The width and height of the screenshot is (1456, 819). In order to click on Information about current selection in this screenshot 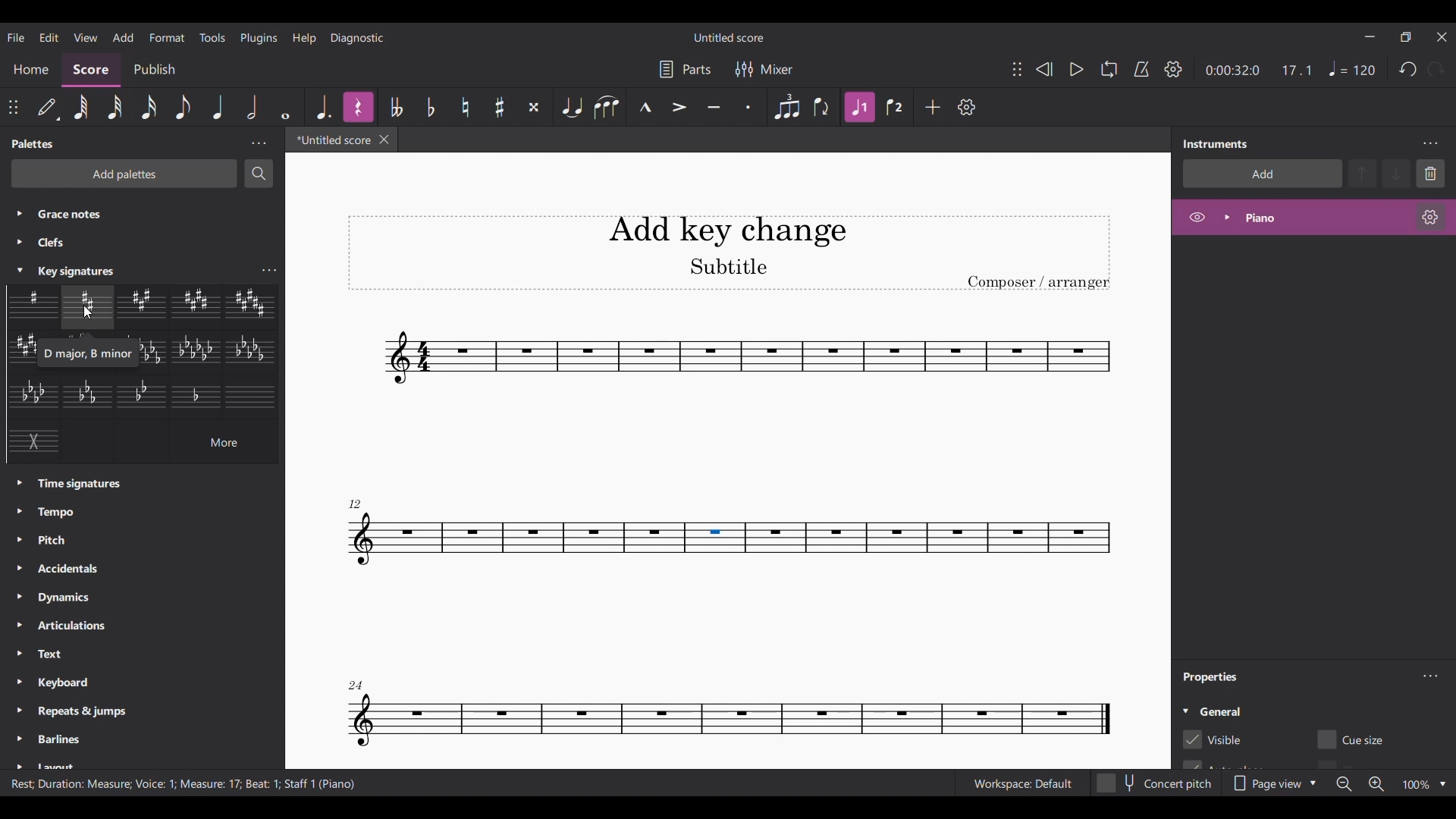, I will do `click(185, 783)`.